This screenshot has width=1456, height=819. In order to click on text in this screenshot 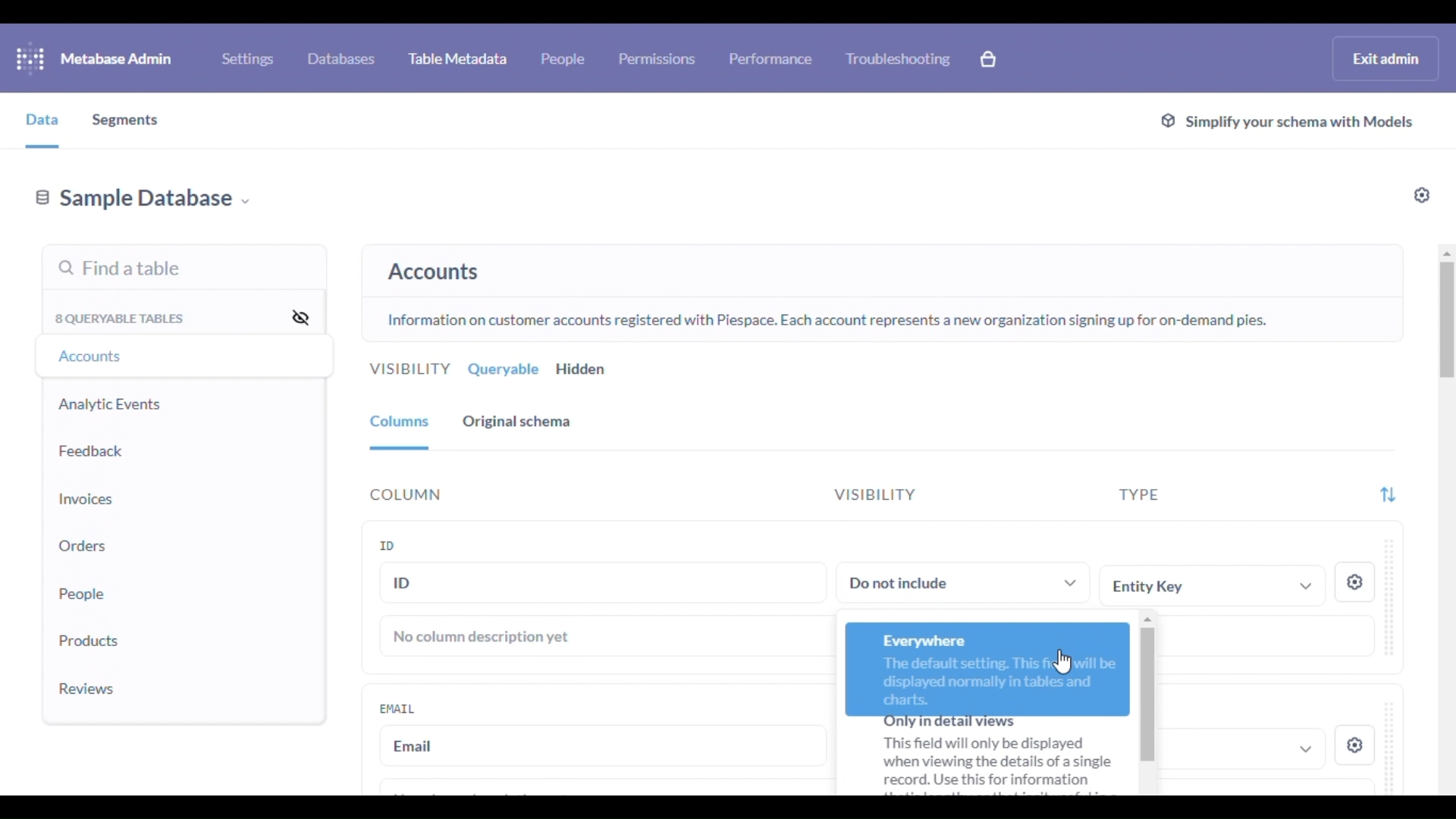, I will do `click(984, 759)`.